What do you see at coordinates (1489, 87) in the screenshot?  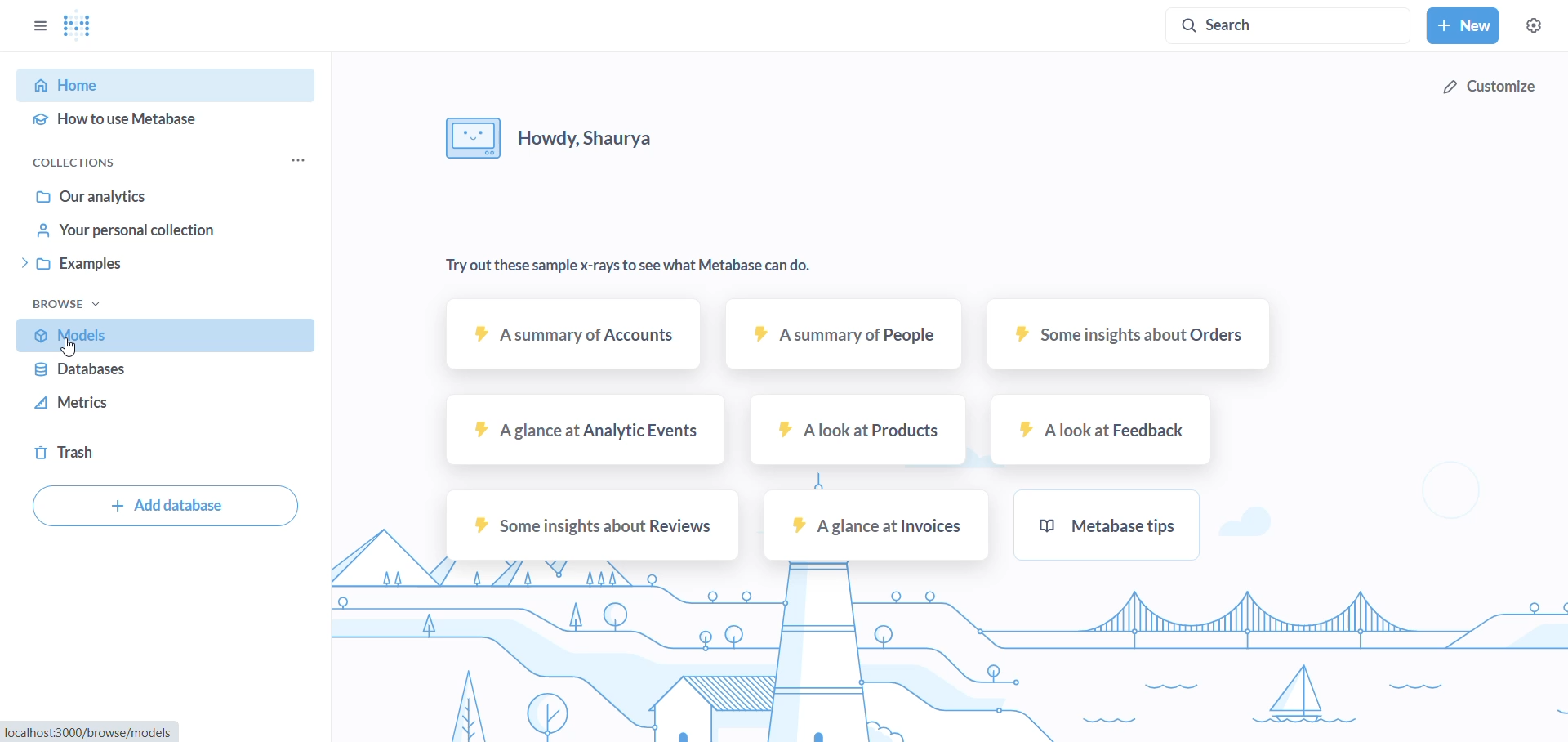 I see `customize` at bounding box center [1489, 87].